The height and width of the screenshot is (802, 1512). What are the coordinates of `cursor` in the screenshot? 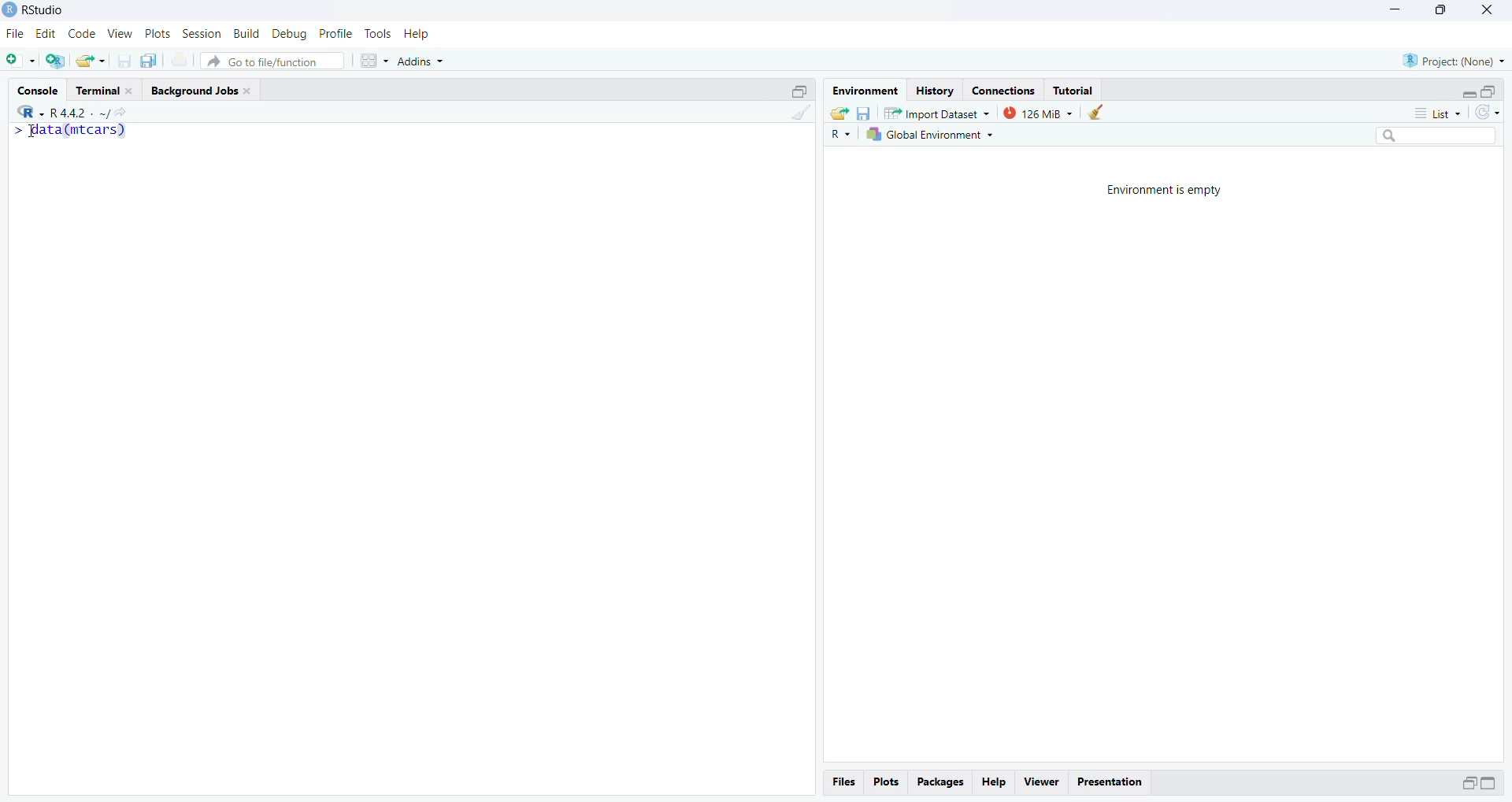 It's located at (29, 133).